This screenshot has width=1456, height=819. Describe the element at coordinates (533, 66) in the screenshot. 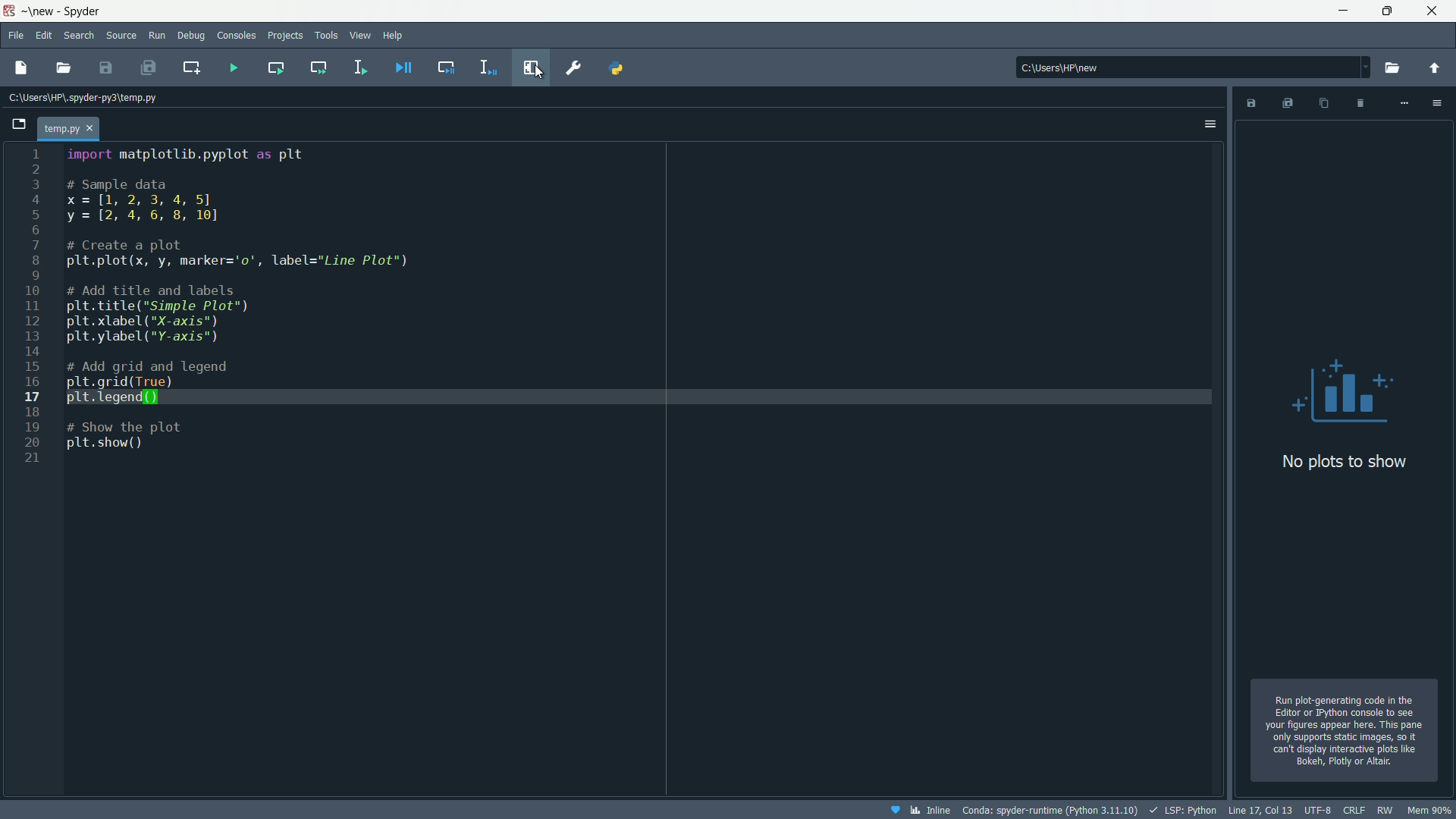

I see `restore pane` at that location.